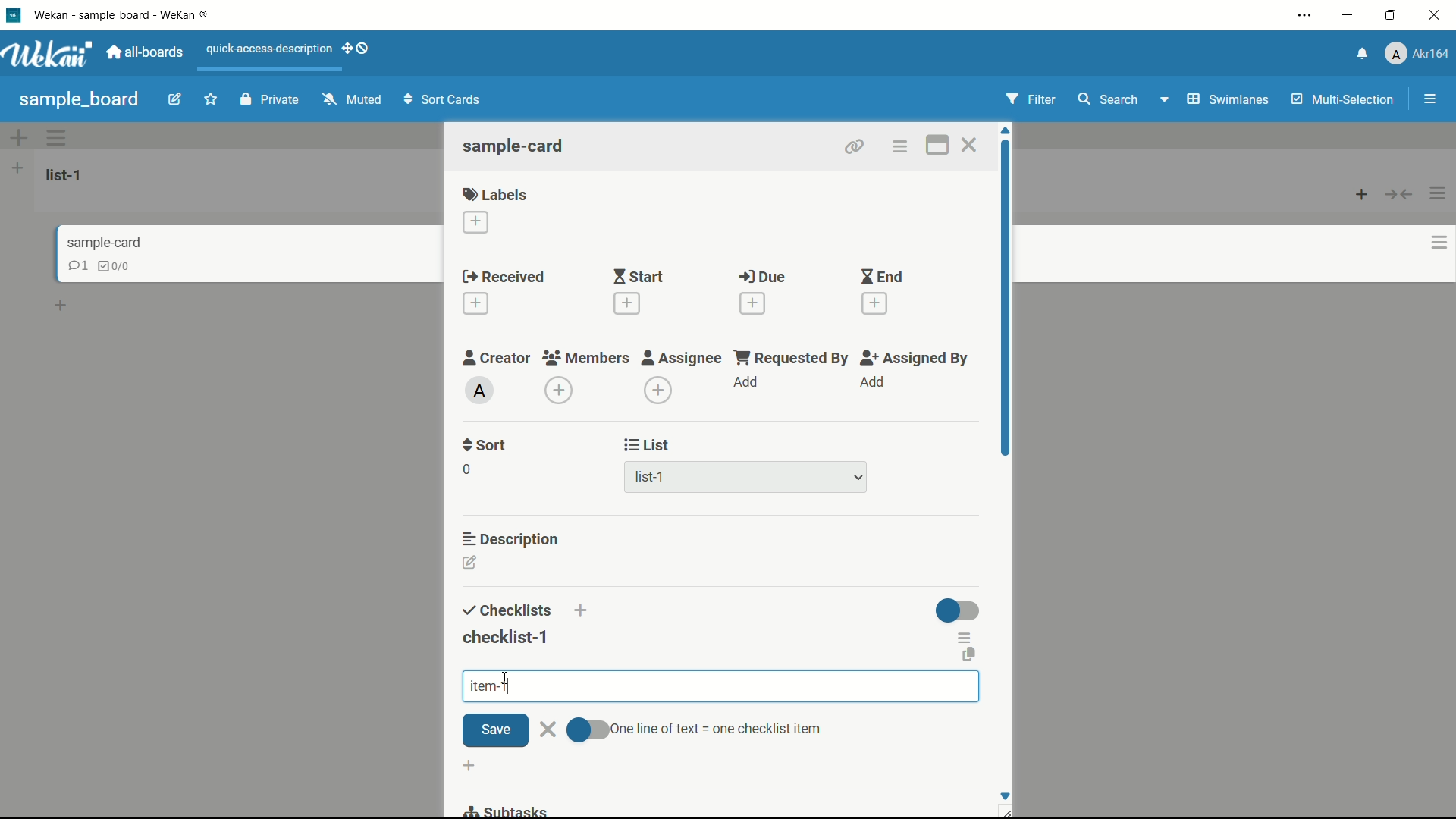 The image size is (1456, 819). What do you see at coordinates (500, 277) in the screenshot?
I see `received` at bounding box center [500, 277].